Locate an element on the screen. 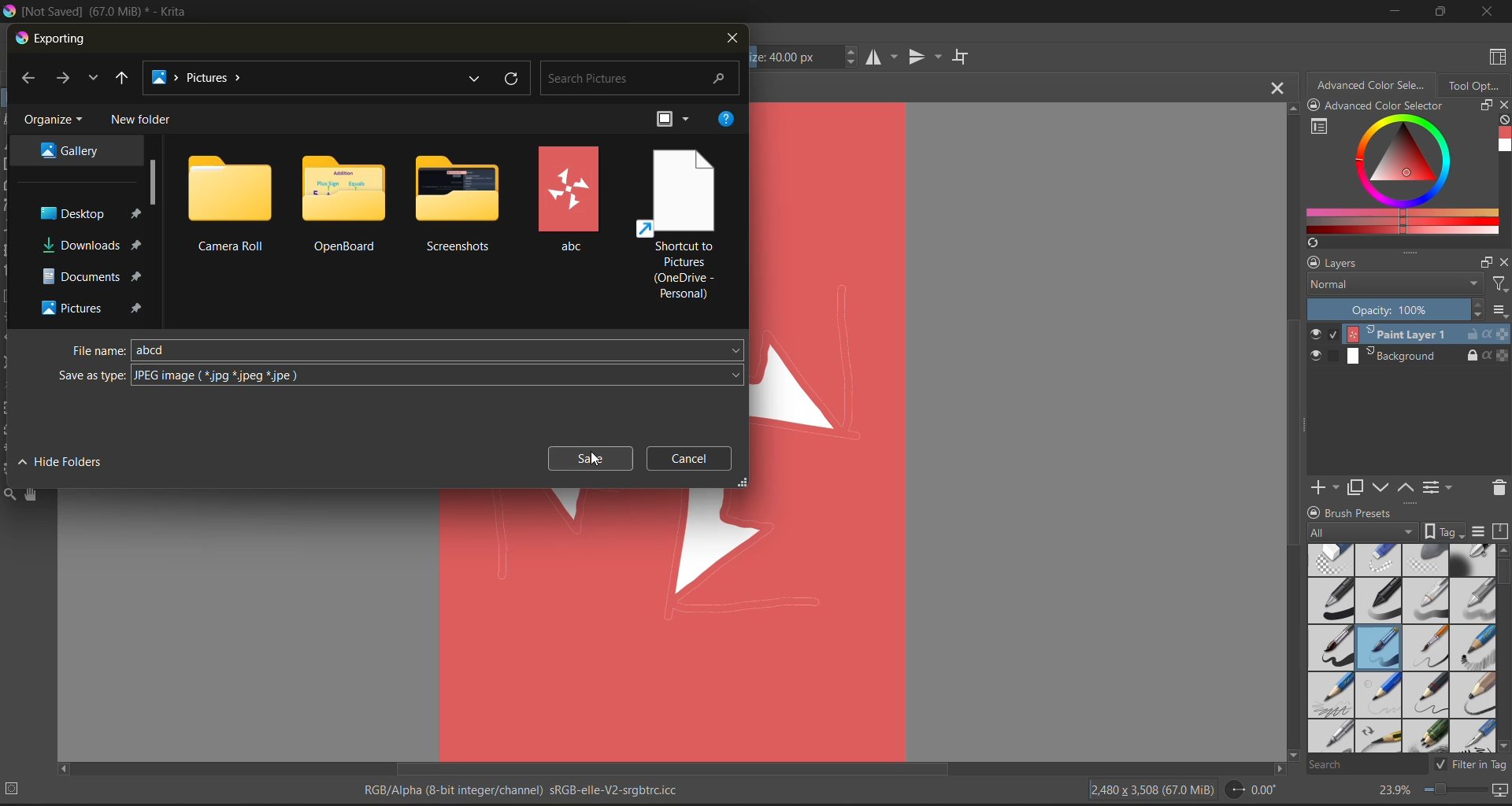 The width and height of the screenshot is (1512, 806). Advanced color selector is located at coordinates (1405, 106).